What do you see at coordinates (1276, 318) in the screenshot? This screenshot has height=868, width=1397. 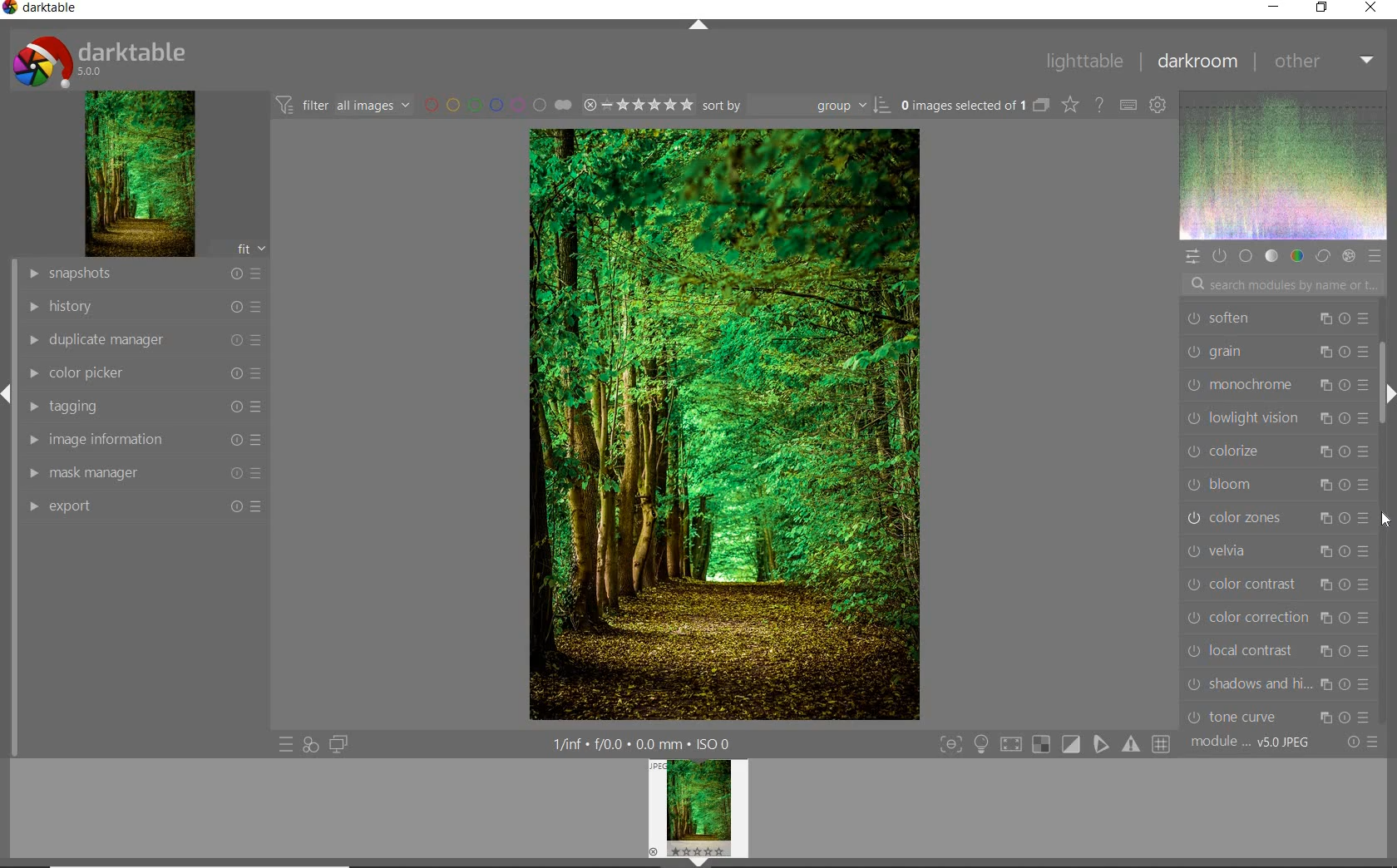 I see `soften` at bounding box center [1276, 318].